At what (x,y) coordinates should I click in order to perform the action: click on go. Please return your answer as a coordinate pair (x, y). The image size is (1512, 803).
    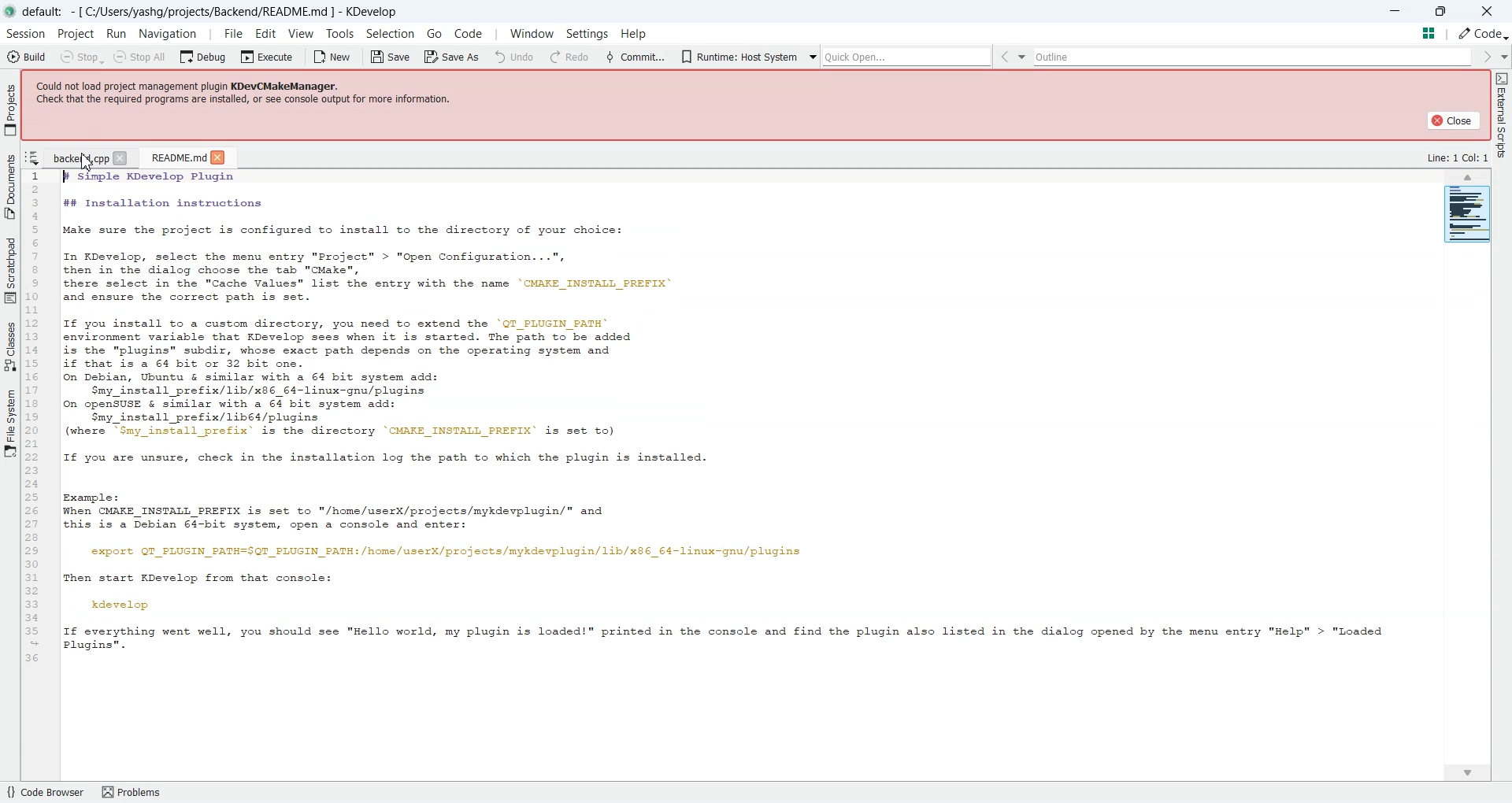
    Looking at the image, I should click on (435, 33).